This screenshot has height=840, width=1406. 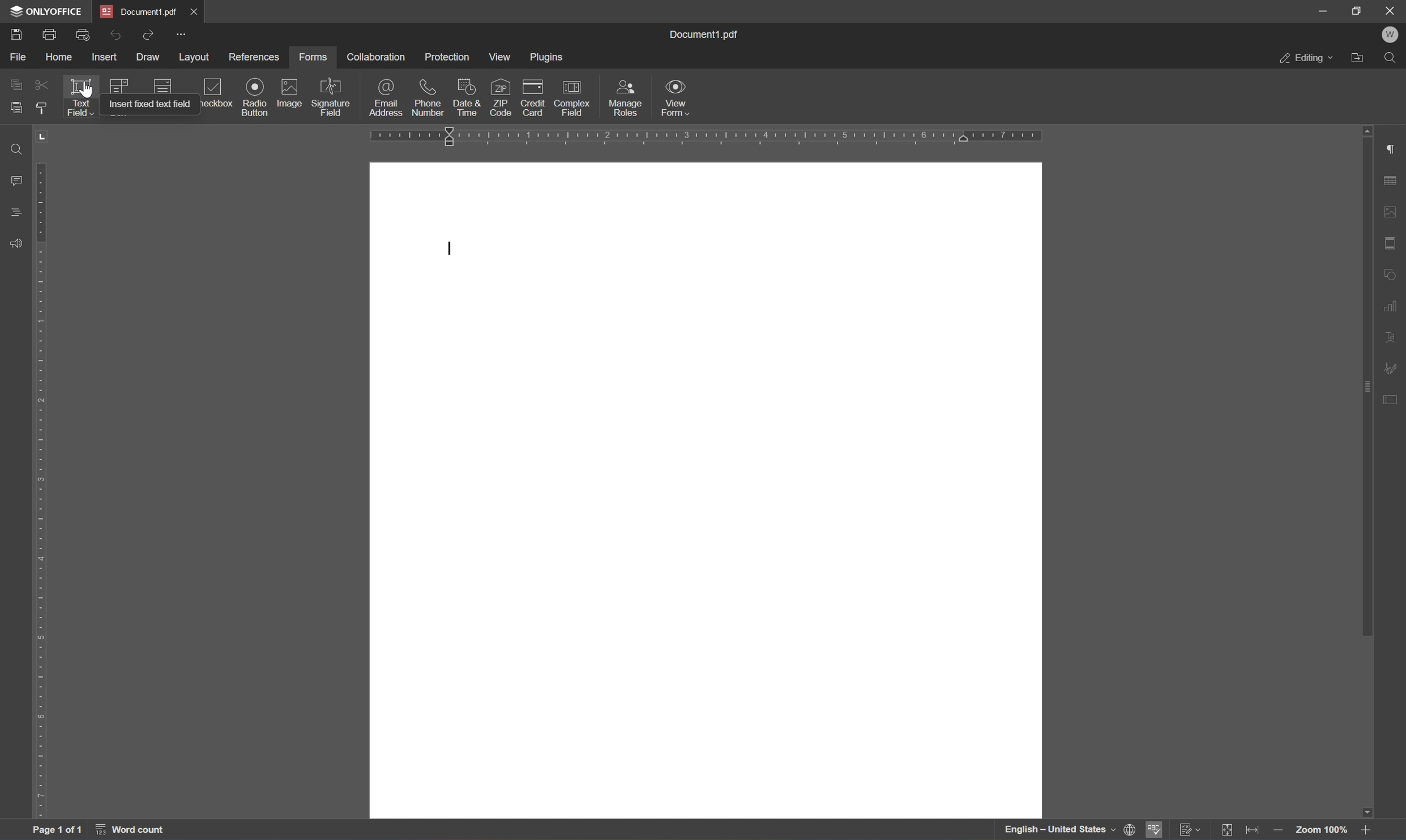 What do you see at coordinates (623, 100) in the screenshot?
I see `manage roles` at bounding box center [623, 100].